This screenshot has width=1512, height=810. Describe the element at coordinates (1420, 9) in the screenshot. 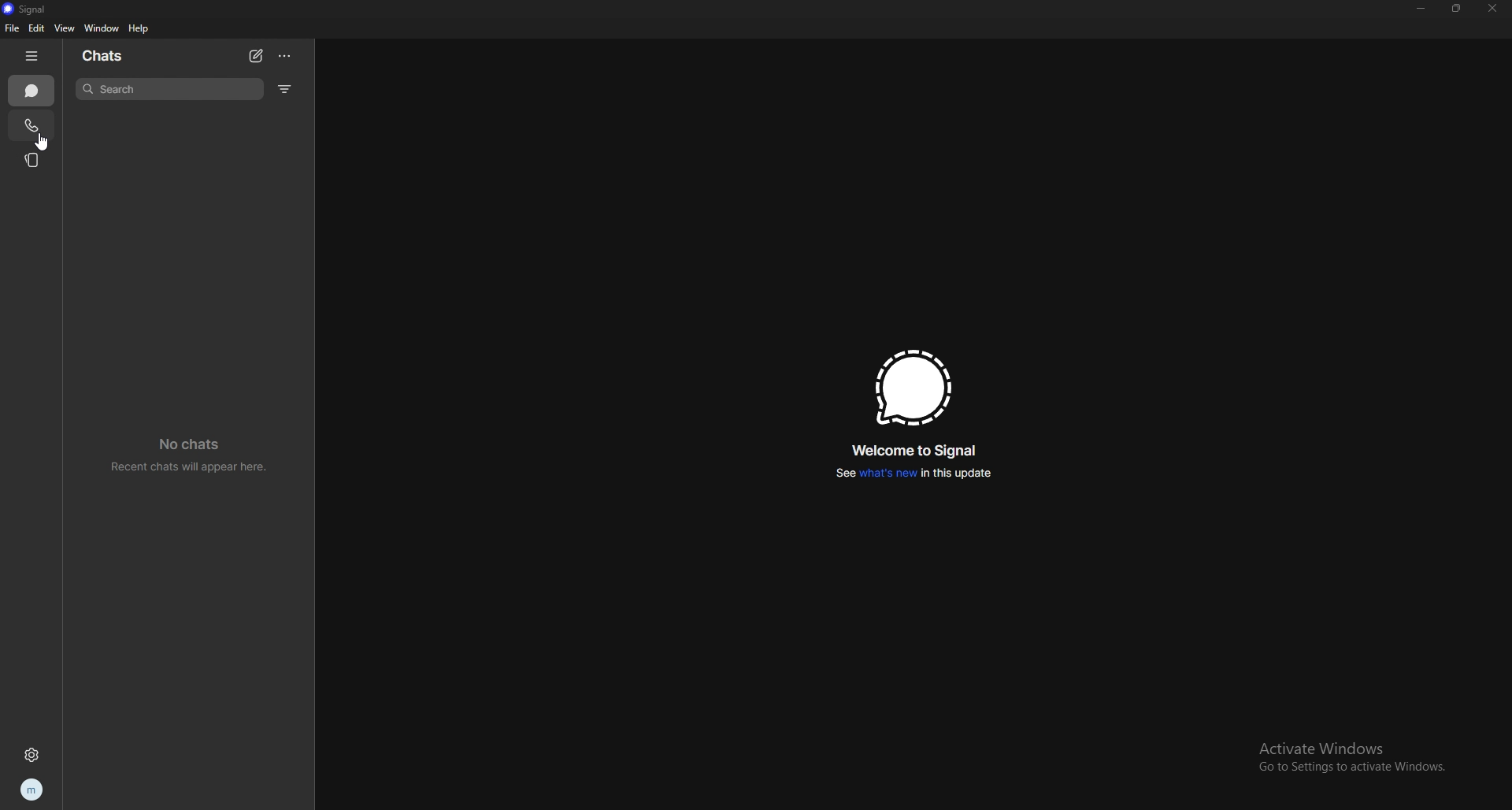

I see `minimize` at that location.